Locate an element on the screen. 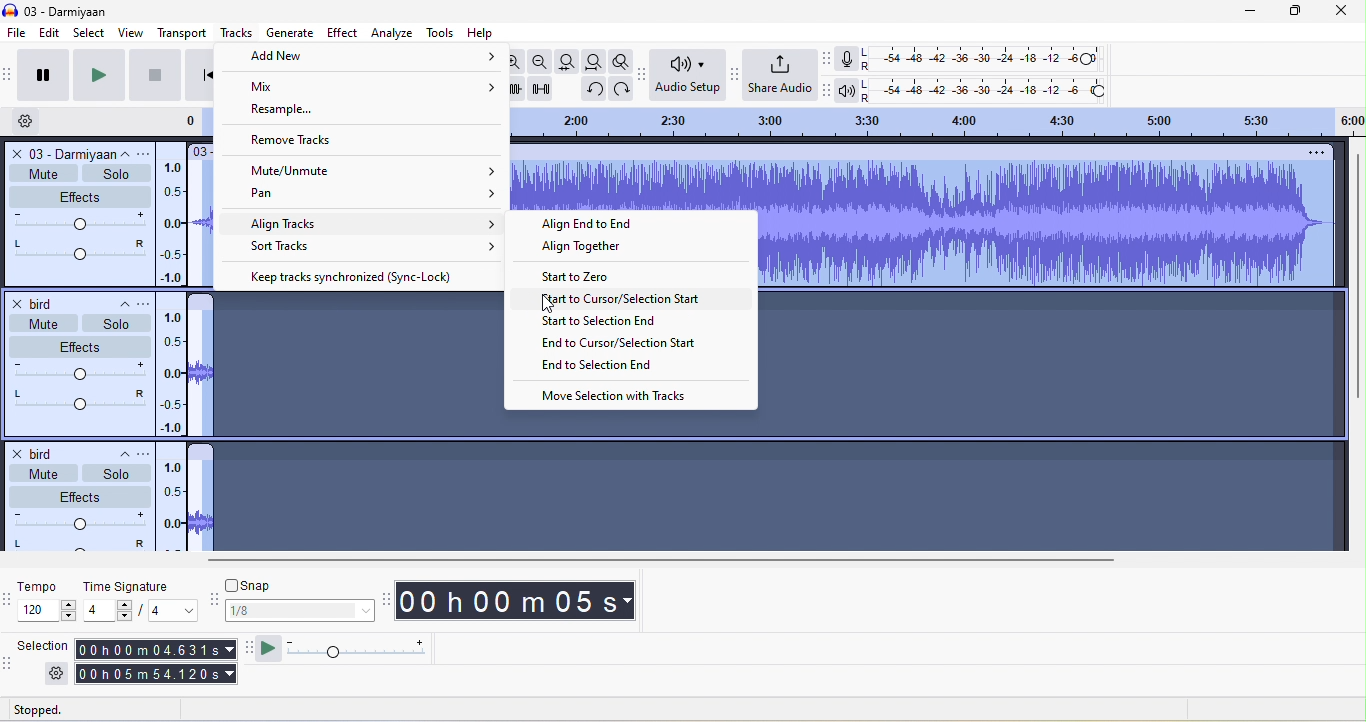  selected tracks is located at coordinates (1052, 356).